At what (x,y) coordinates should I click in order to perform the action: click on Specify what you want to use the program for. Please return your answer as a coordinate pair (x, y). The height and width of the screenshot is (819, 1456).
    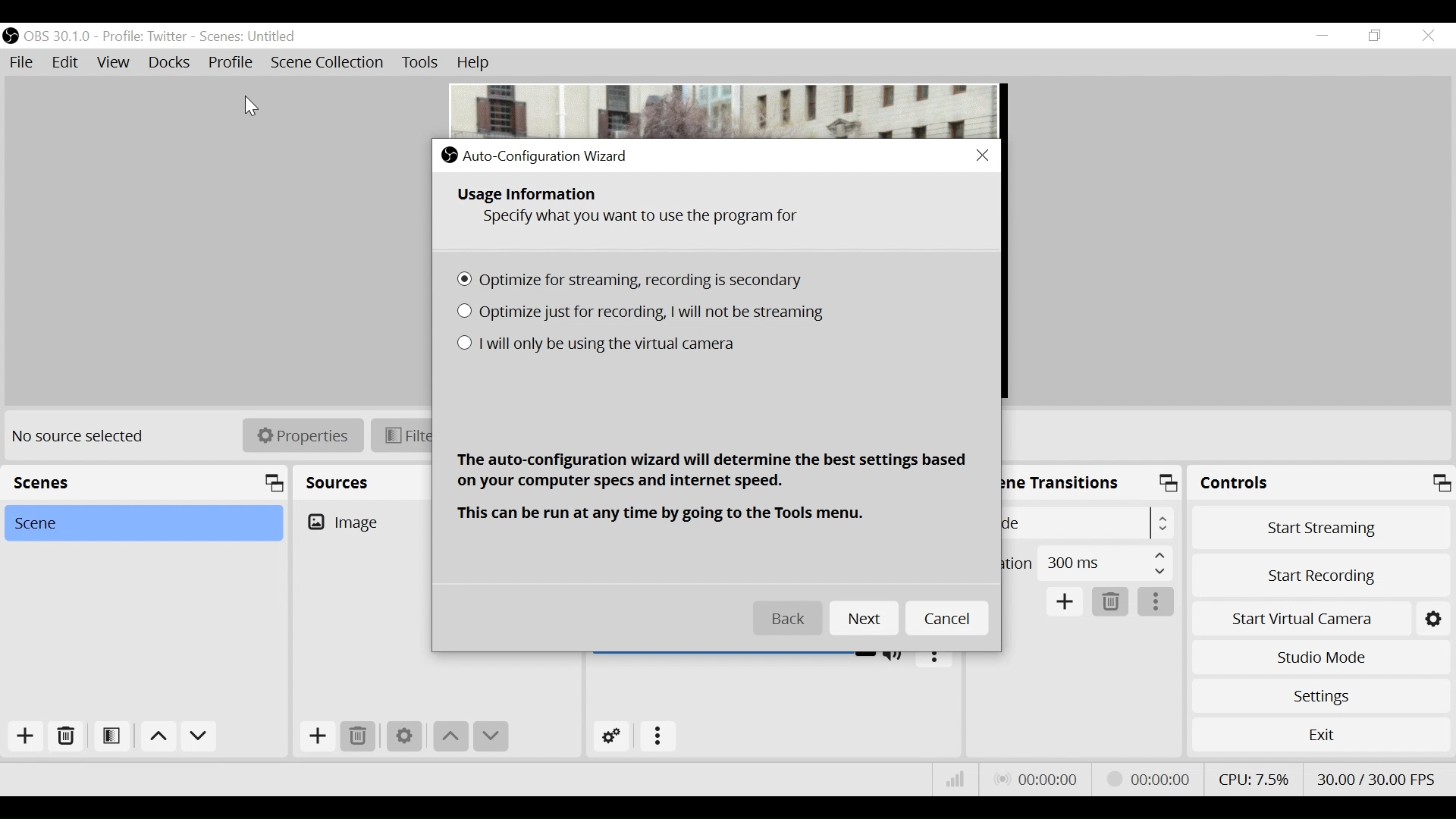
    Looking at the image, I should click on (642, 219).